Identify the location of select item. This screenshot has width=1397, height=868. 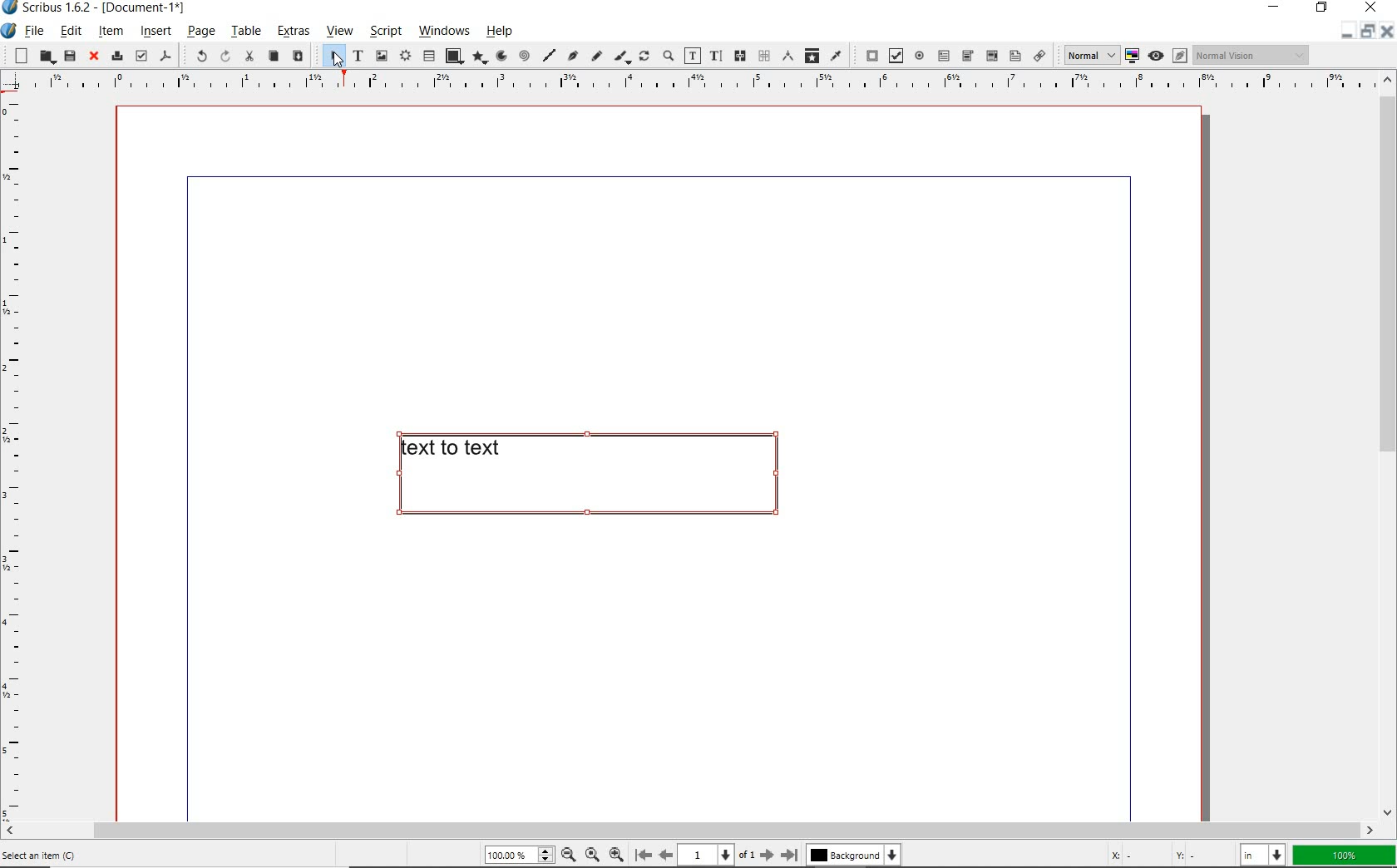
(331, 57).